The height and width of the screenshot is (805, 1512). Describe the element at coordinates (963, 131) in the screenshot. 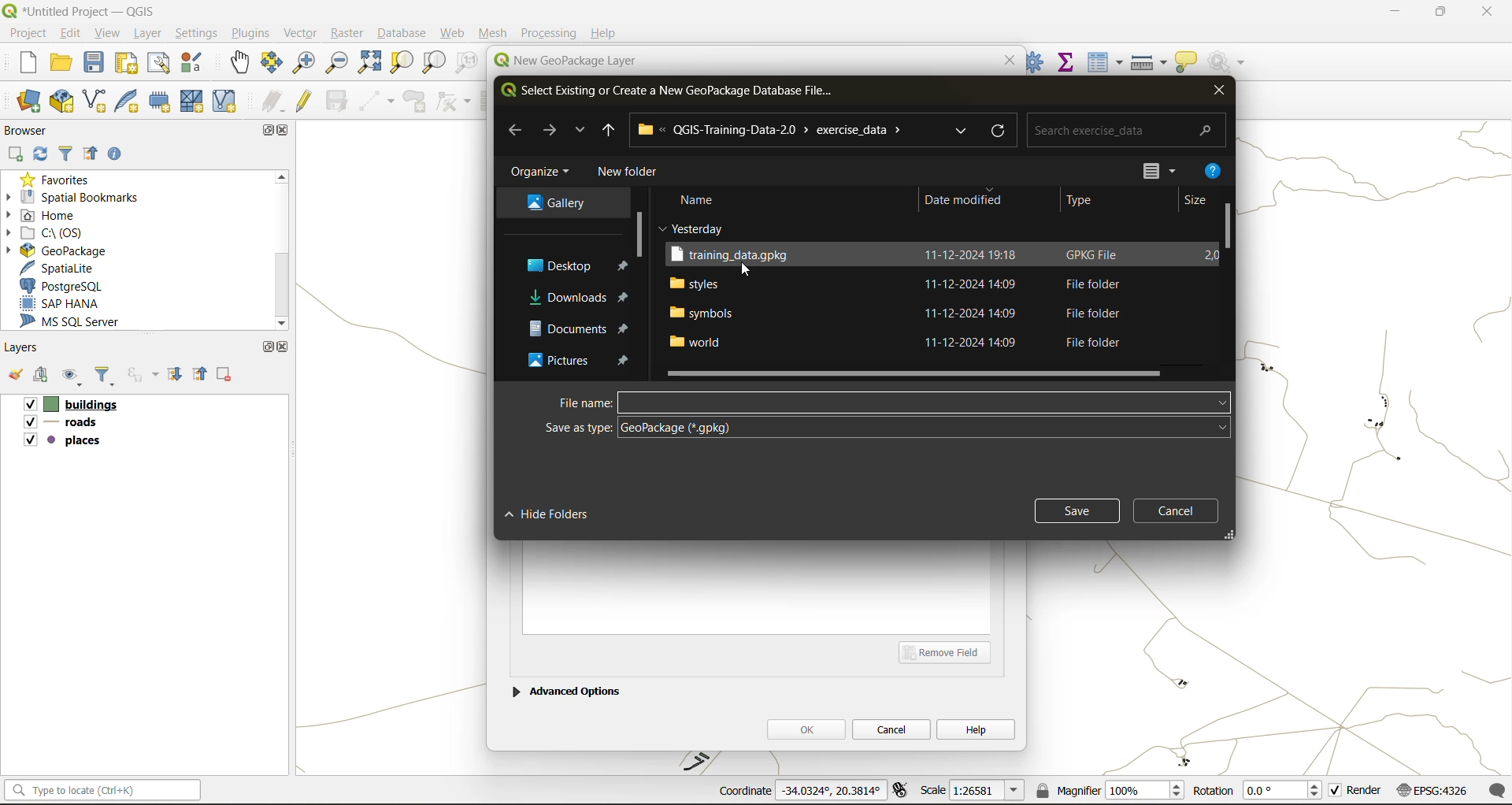

I see `explore` at that location.